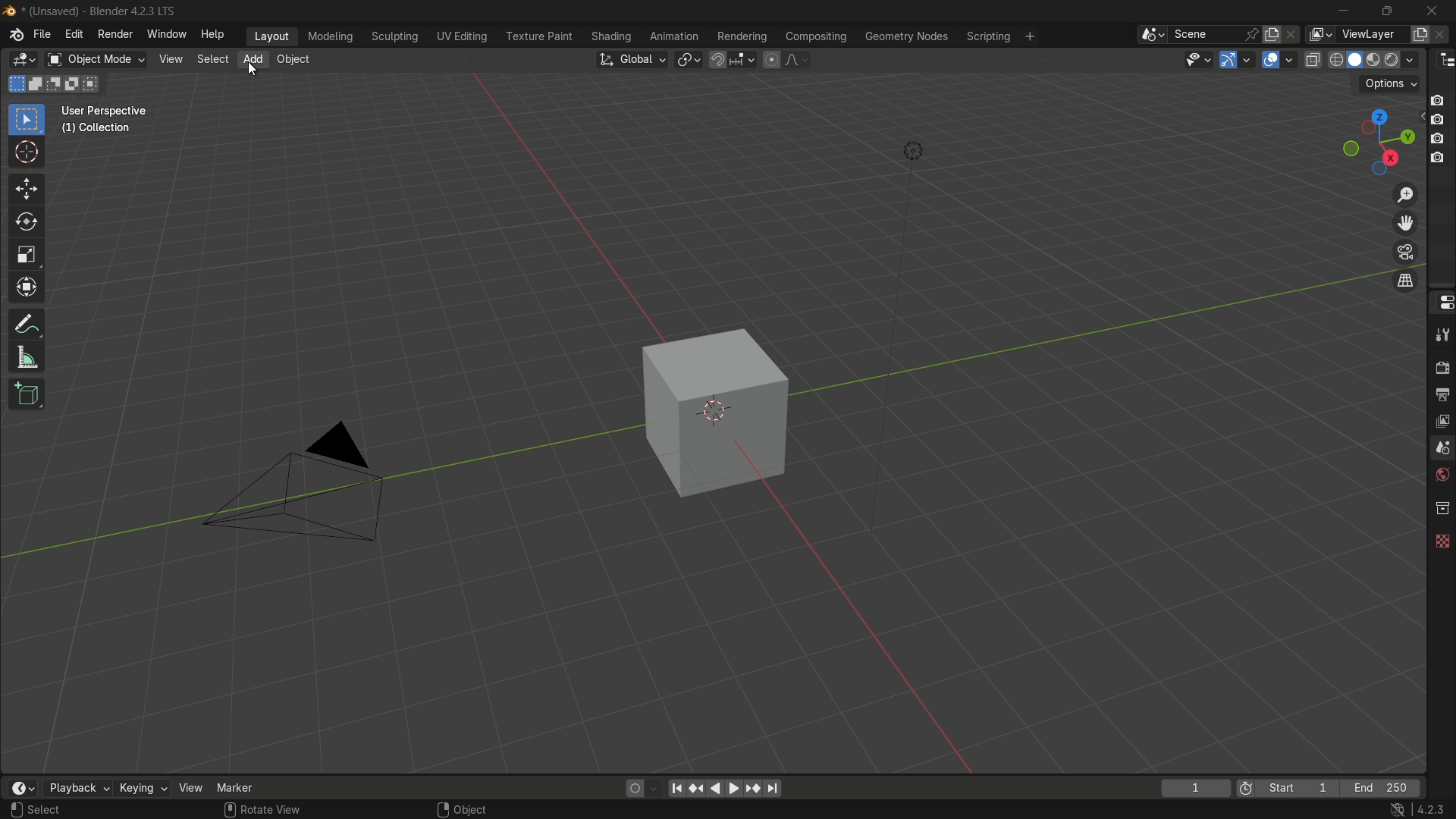 This screenshot has width=1456, height=819. Describe the element at coordinates (1356, 61) in the screenshot. I see `solid` at that location.